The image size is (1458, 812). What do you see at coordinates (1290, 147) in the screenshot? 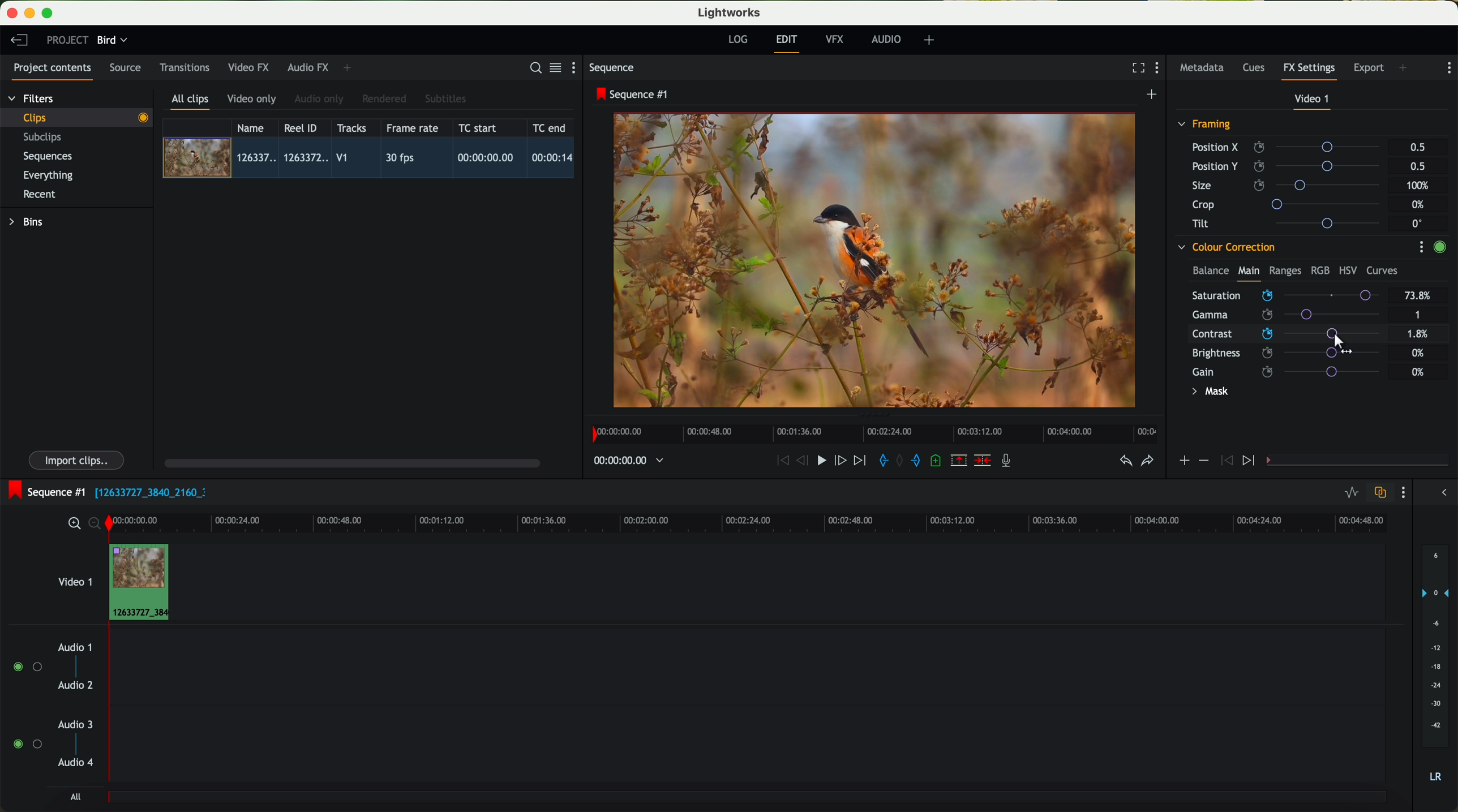
I see `position X` at bounding box center [1290, 147].